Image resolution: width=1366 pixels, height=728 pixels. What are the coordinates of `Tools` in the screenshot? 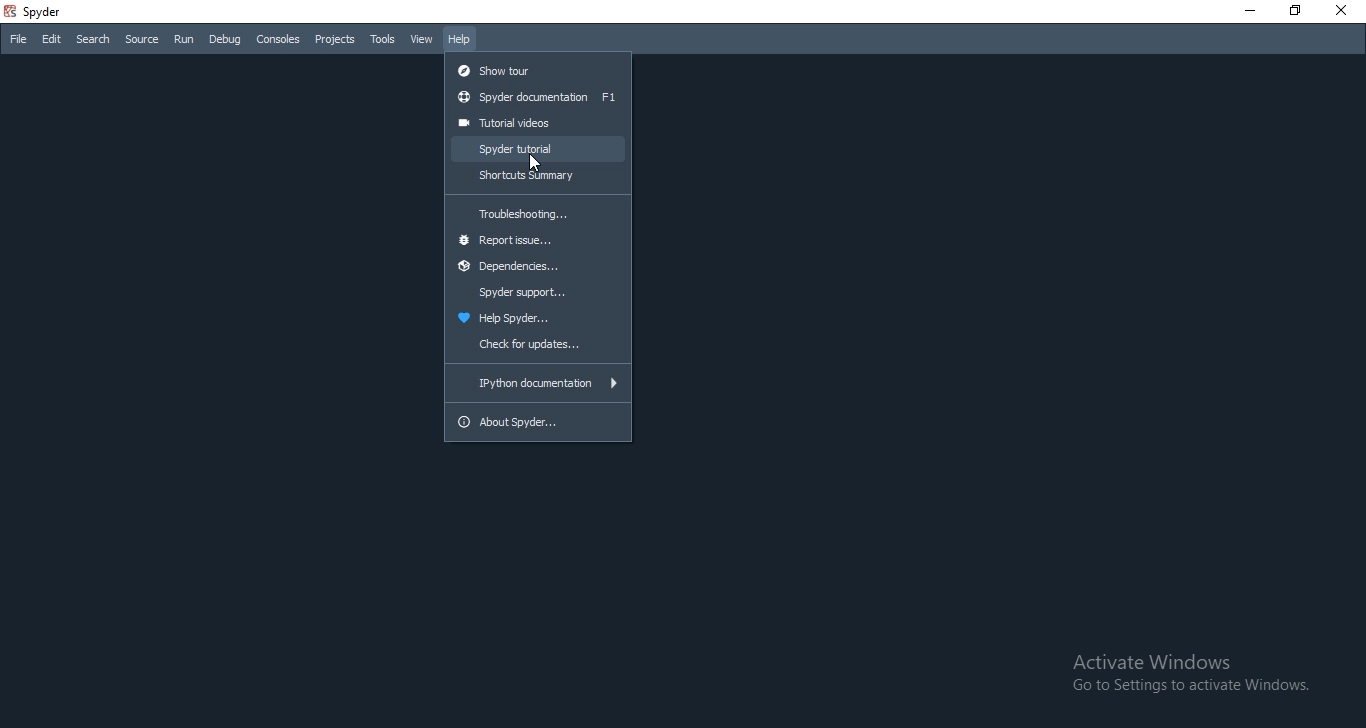 It's located at (384, 40).